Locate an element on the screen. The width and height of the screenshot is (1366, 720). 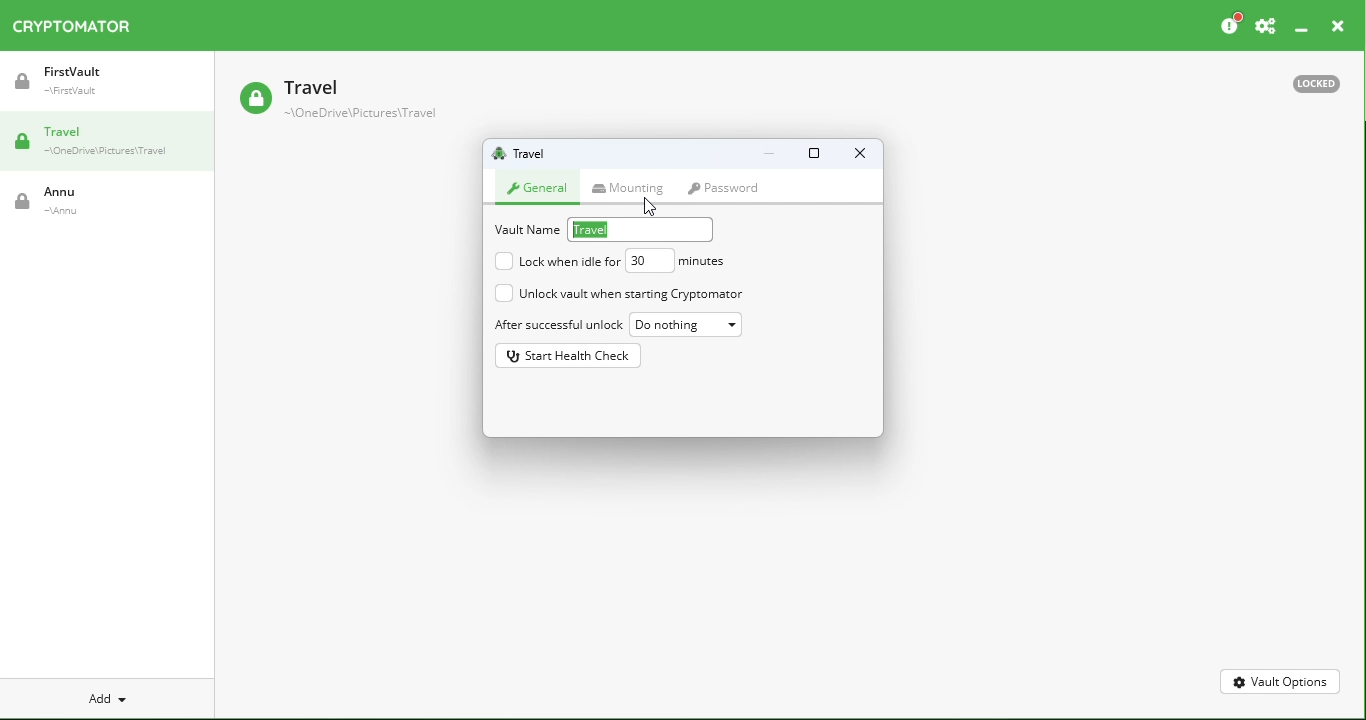
Locked is located at coordinates (1322, 83).